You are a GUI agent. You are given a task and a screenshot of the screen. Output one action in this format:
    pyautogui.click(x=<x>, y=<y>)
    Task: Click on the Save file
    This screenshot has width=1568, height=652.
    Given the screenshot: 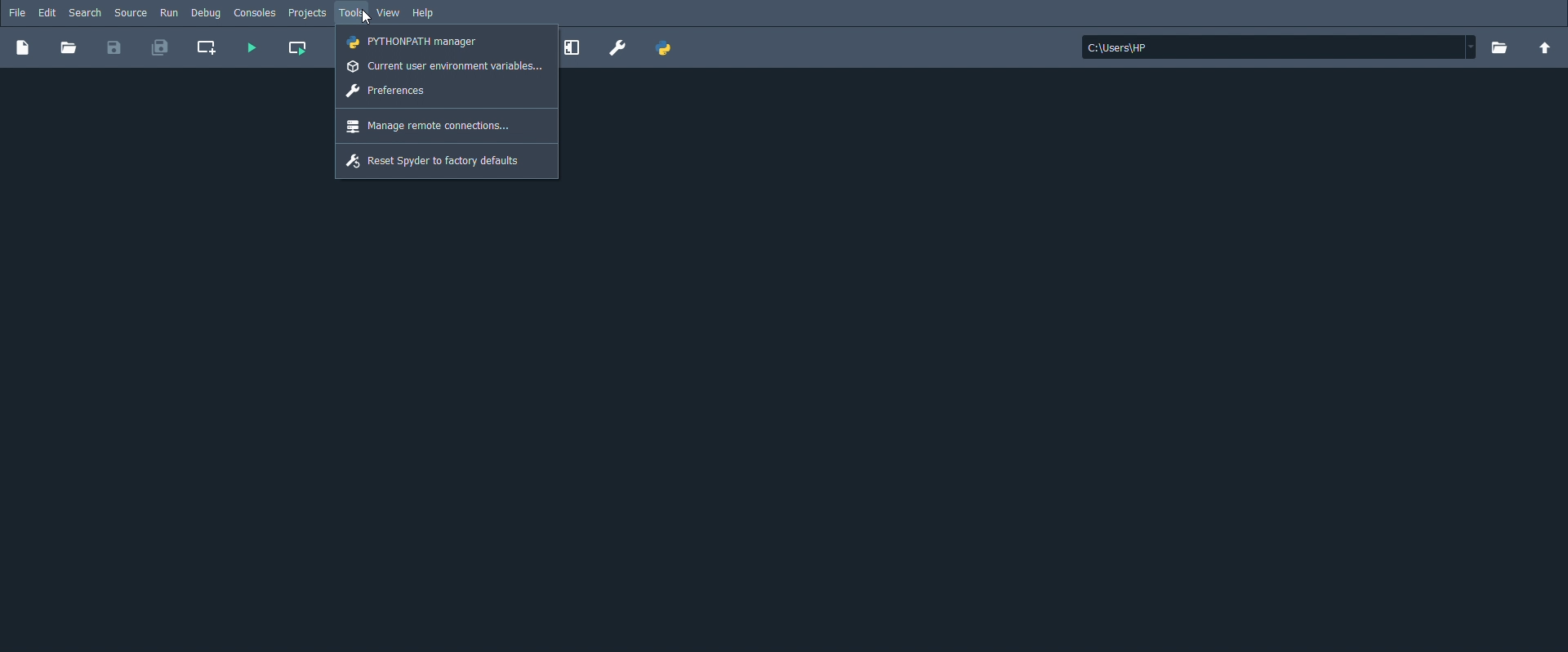 What is the action you would take?
    pyautogui.click(x=115, y=48)
    